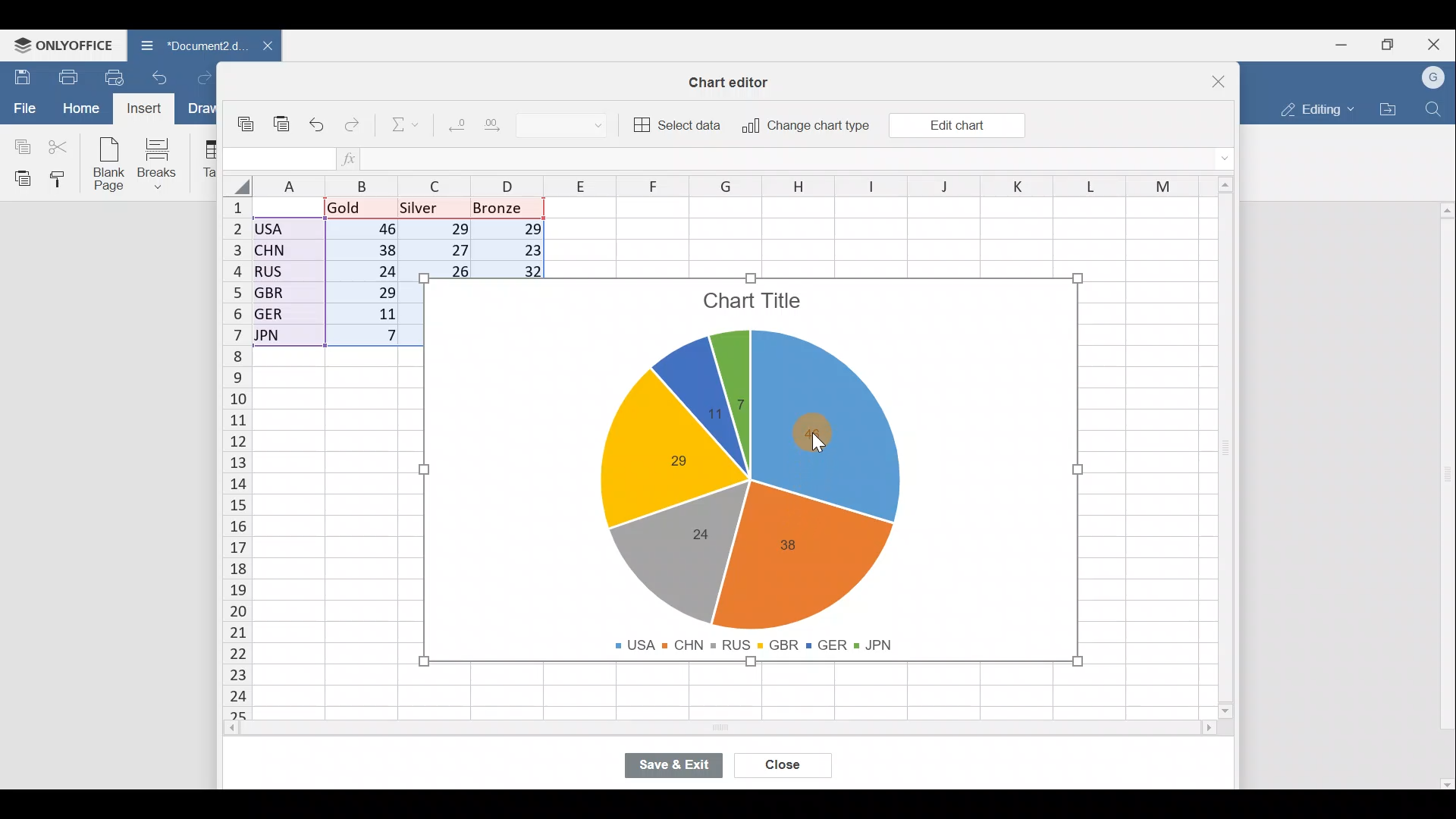  I want to click on Scroll bar, so click(1232, 452).